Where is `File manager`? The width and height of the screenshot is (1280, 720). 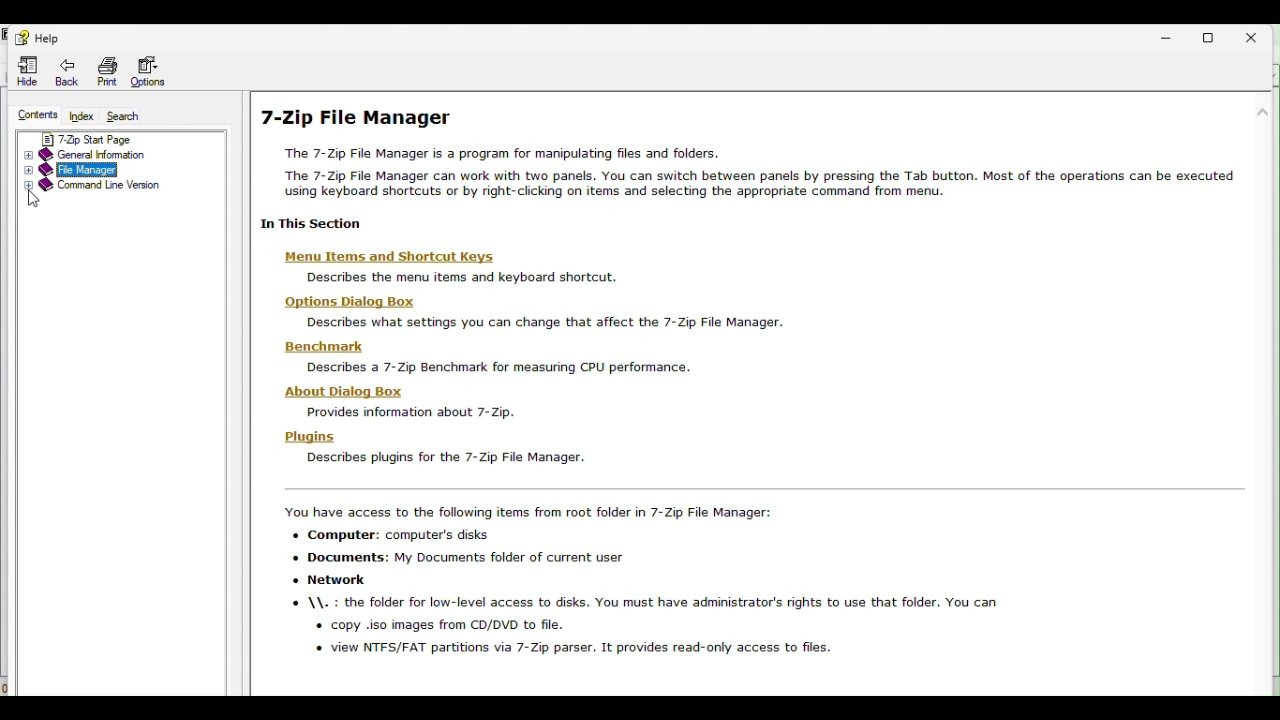 File manager is located at coordinates (112, 169).